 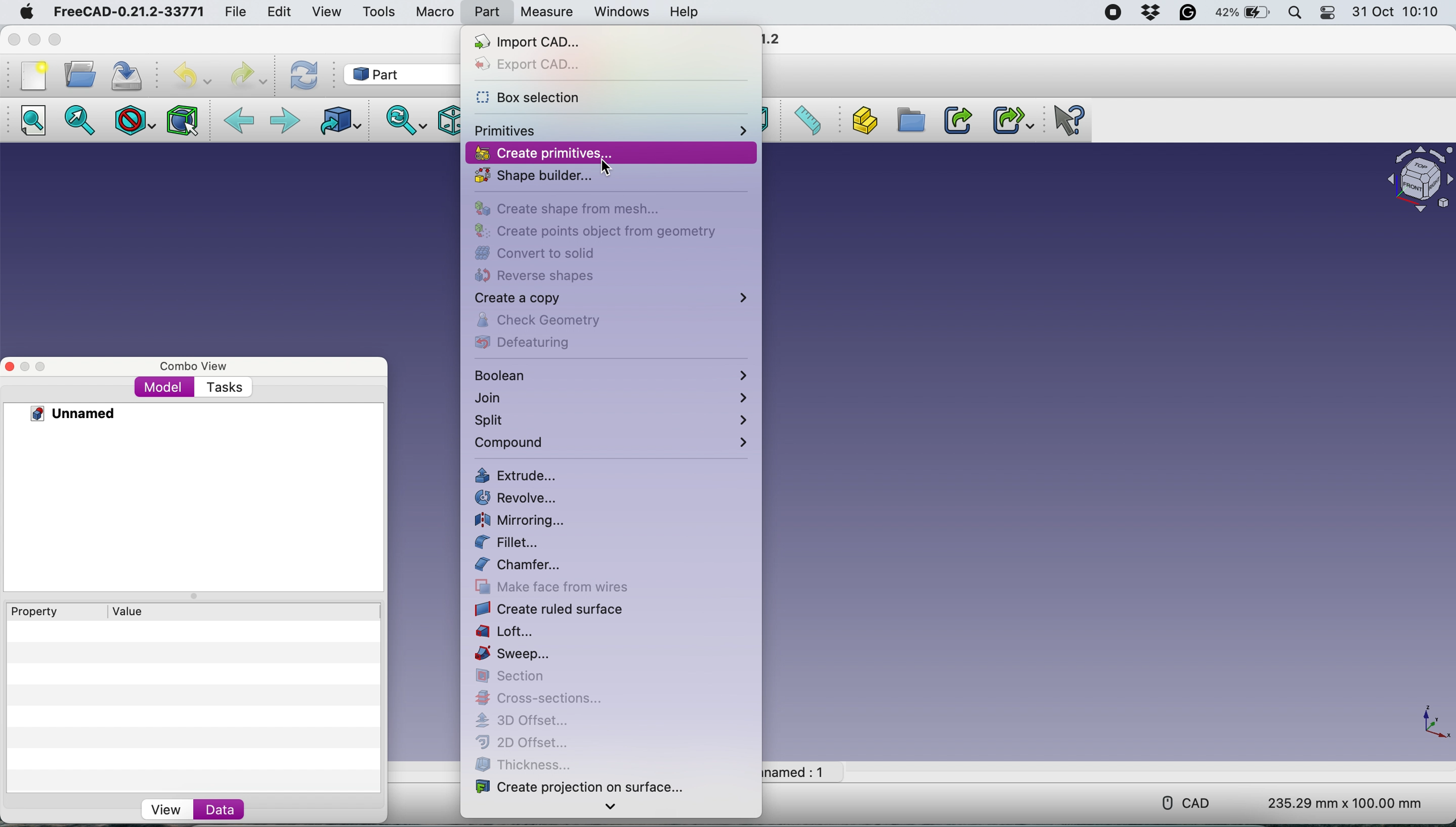 What do you see at coordinates (614, 445) in the screenshot?
I see `compound` at bounding box center [614, 445].